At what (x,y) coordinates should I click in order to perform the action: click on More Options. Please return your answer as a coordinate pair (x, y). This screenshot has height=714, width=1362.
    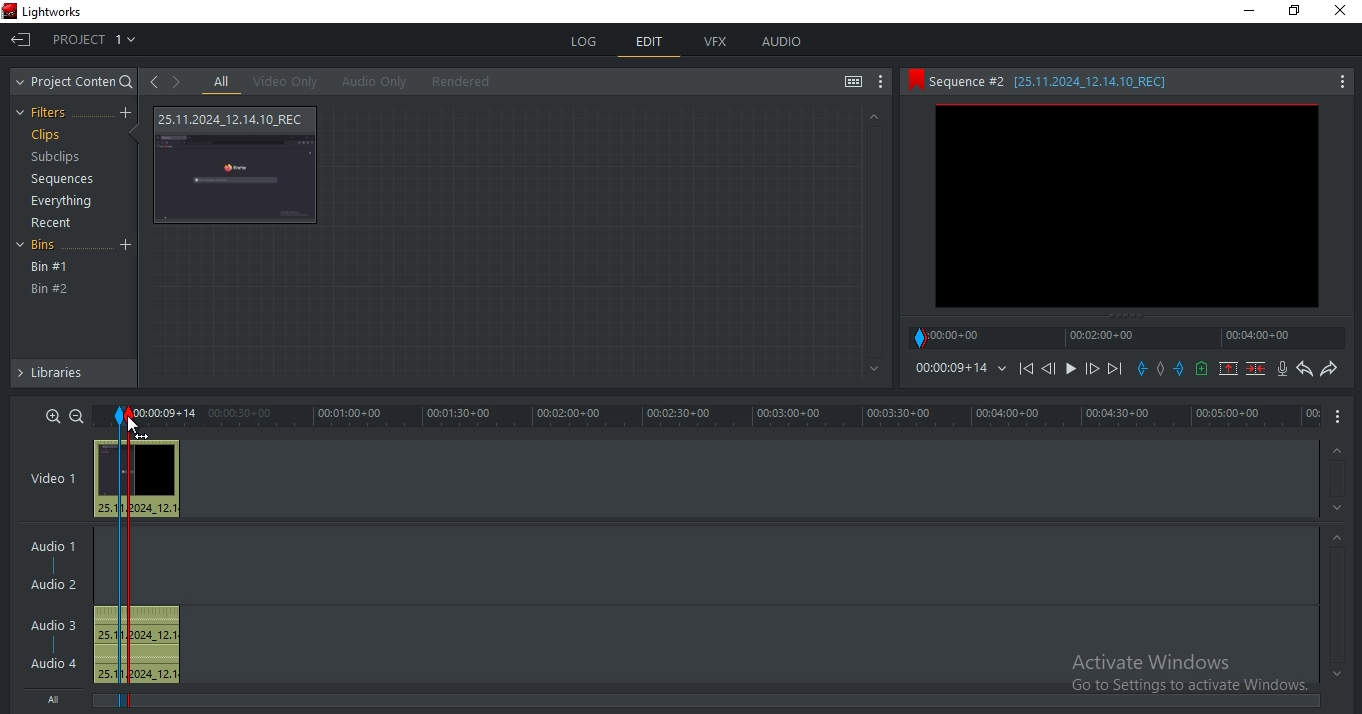
    Looking at the image, I should click on (1343, 80).